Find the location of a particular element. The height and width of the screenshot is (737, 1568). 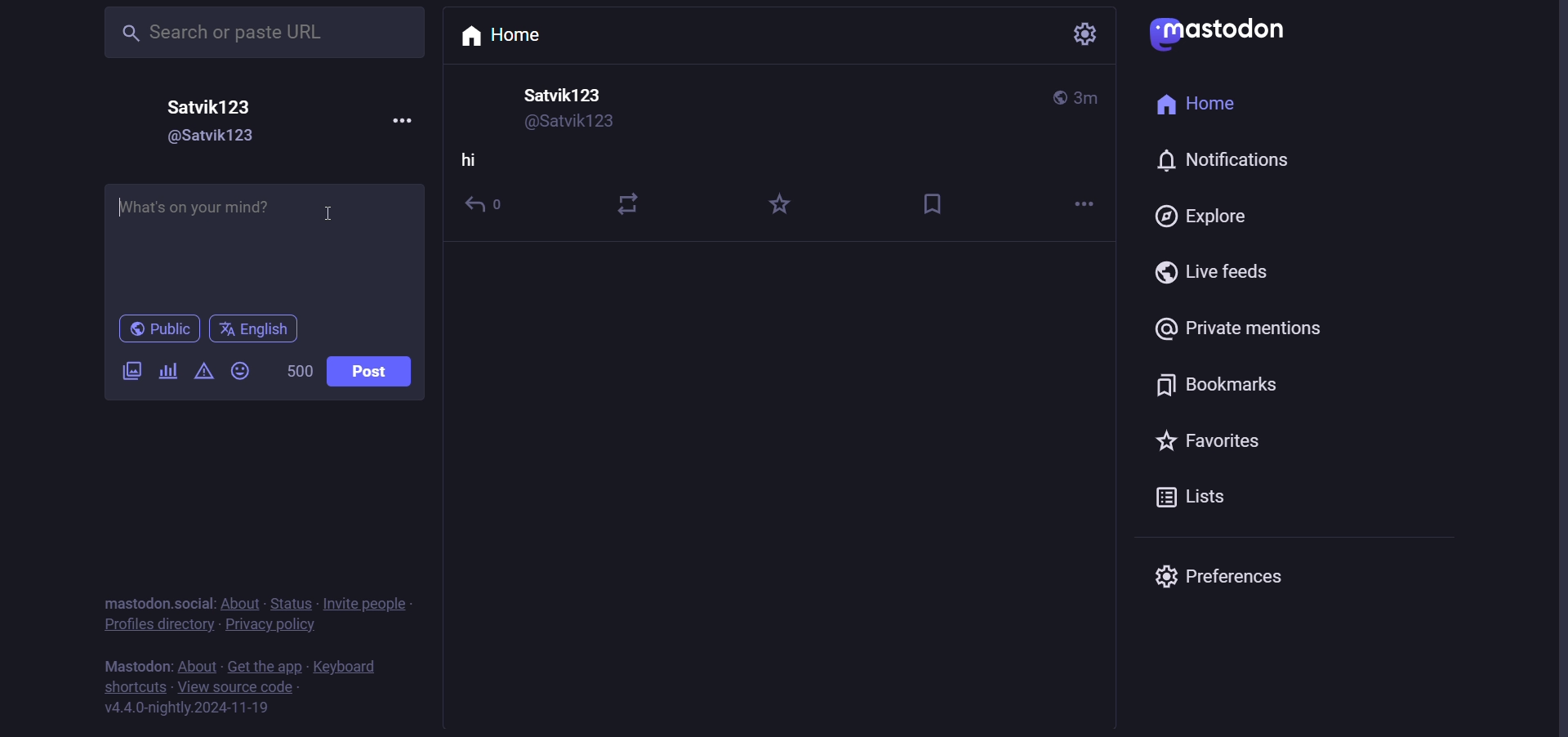

reply is located at coordinates (489, 209).